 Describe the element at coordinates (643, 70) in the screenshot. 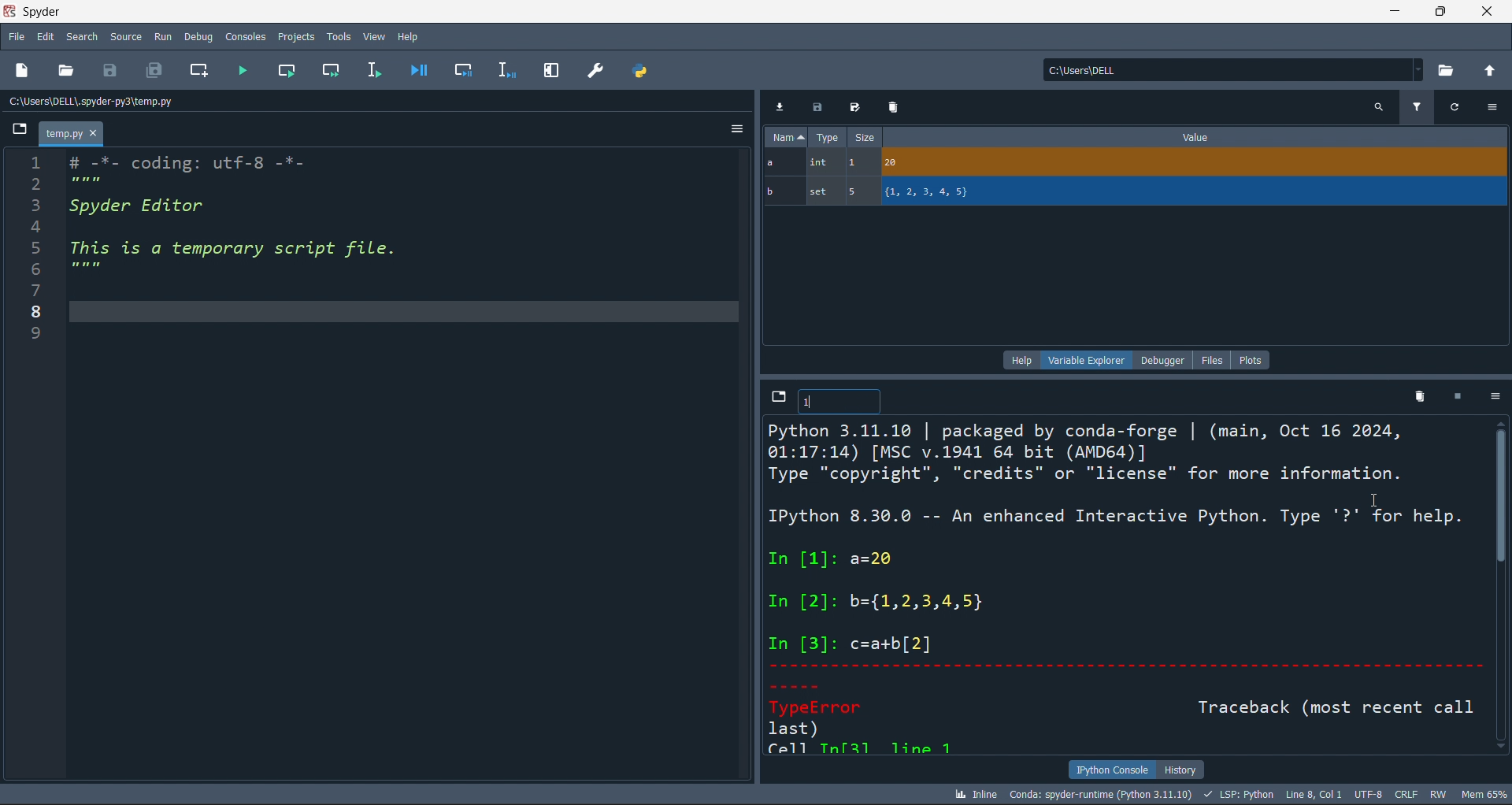

I see `python path manager` at that location.